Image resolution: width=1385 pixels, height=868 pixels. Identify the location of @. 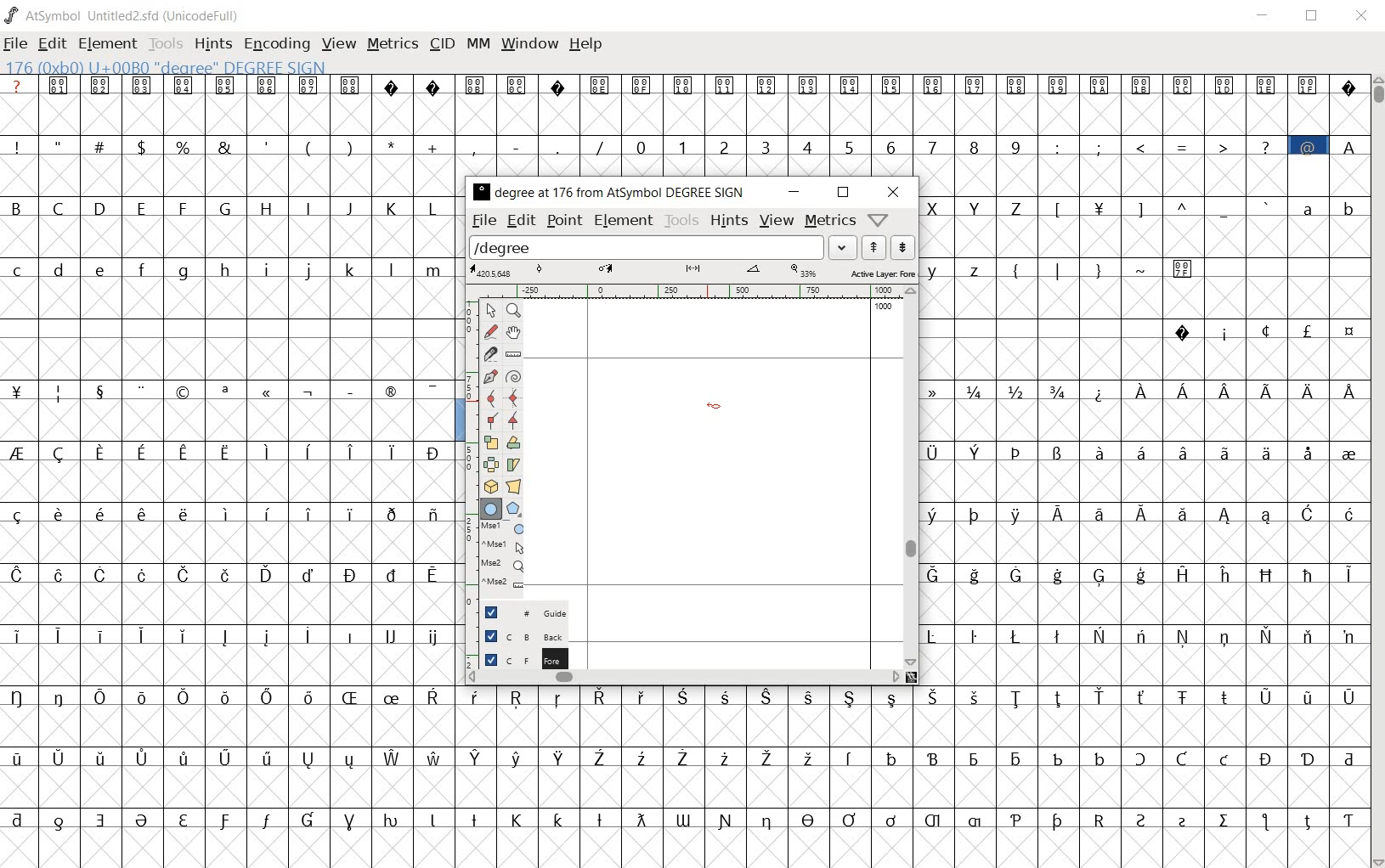
(1310, 145).